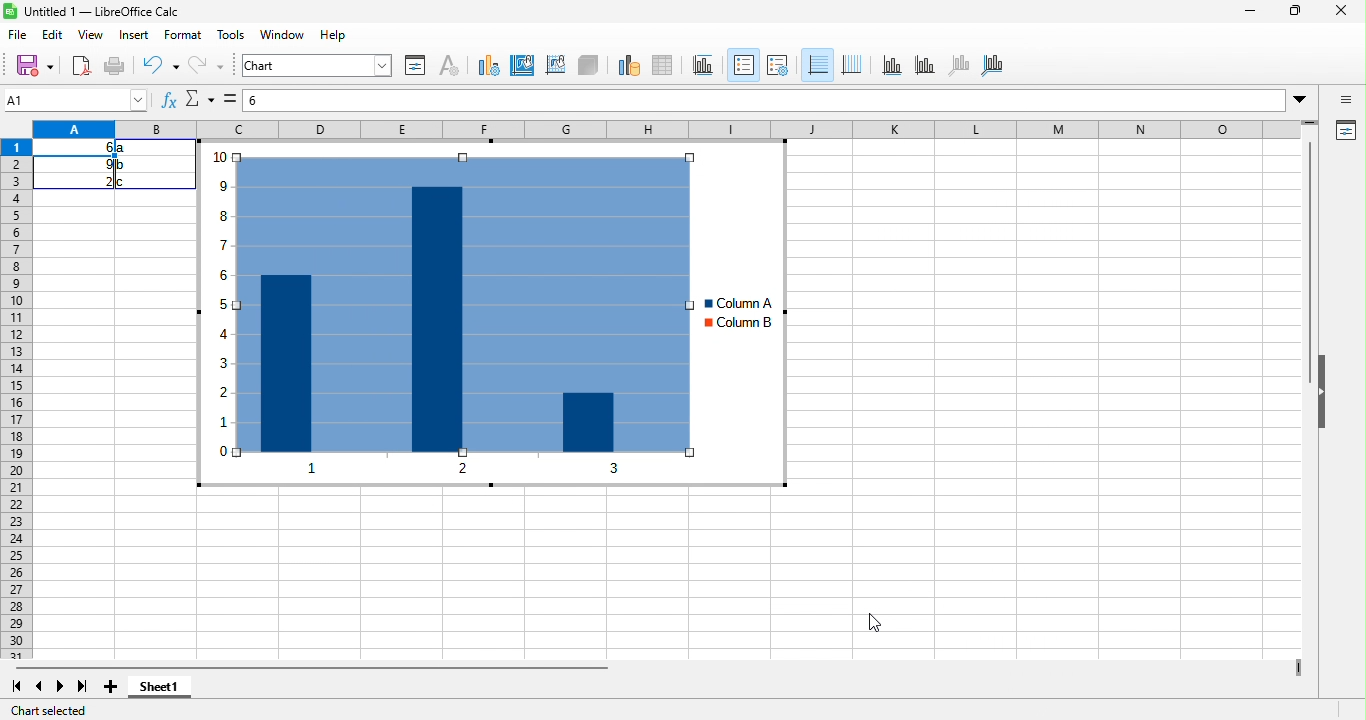  What do you see at coordinates (85, 688) in the screenshot?
I see `last` at bounding box center [85, 688].